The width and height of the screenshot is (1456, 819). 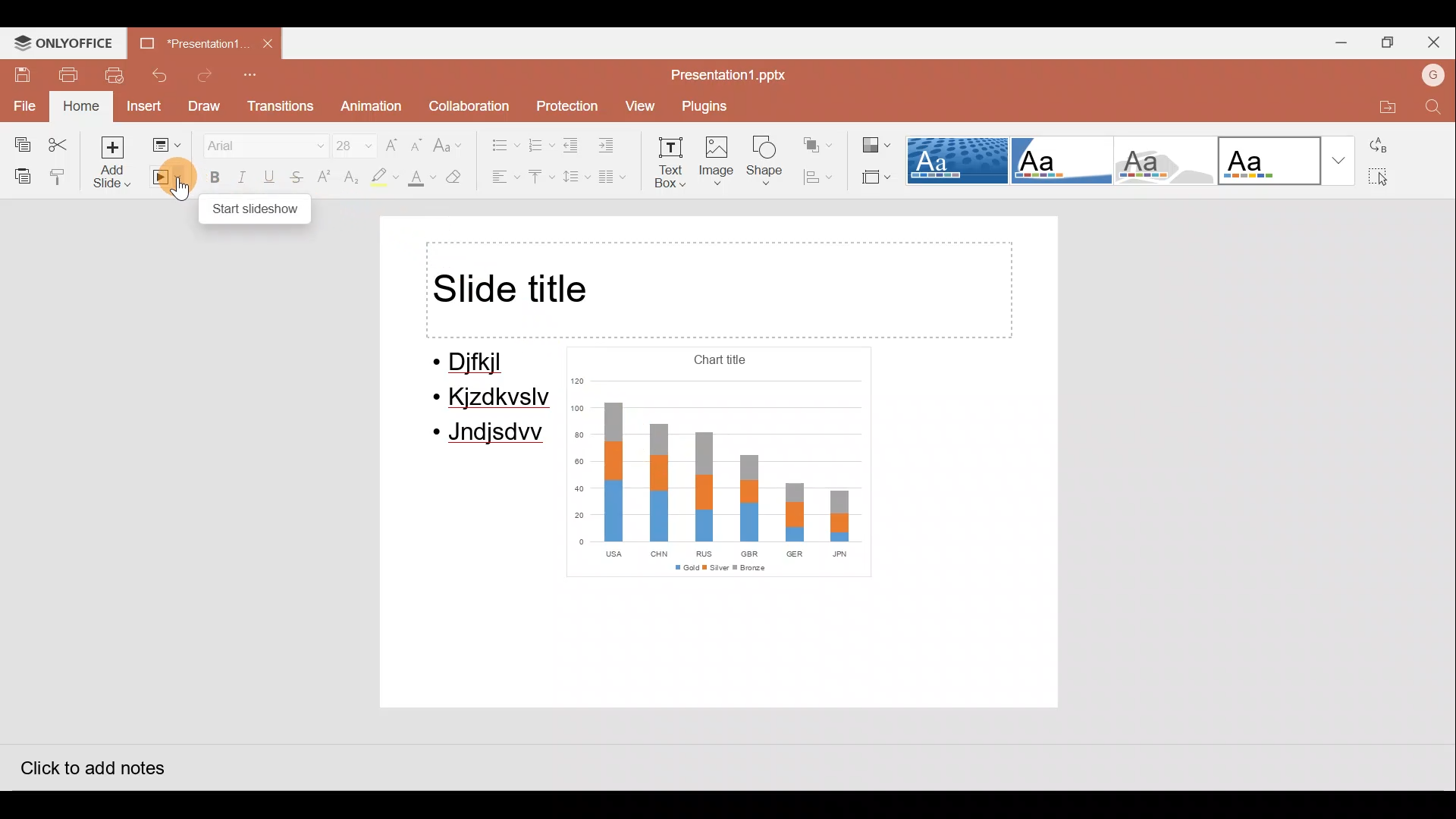 I want to click on Insert, so click(x=140, y=107).